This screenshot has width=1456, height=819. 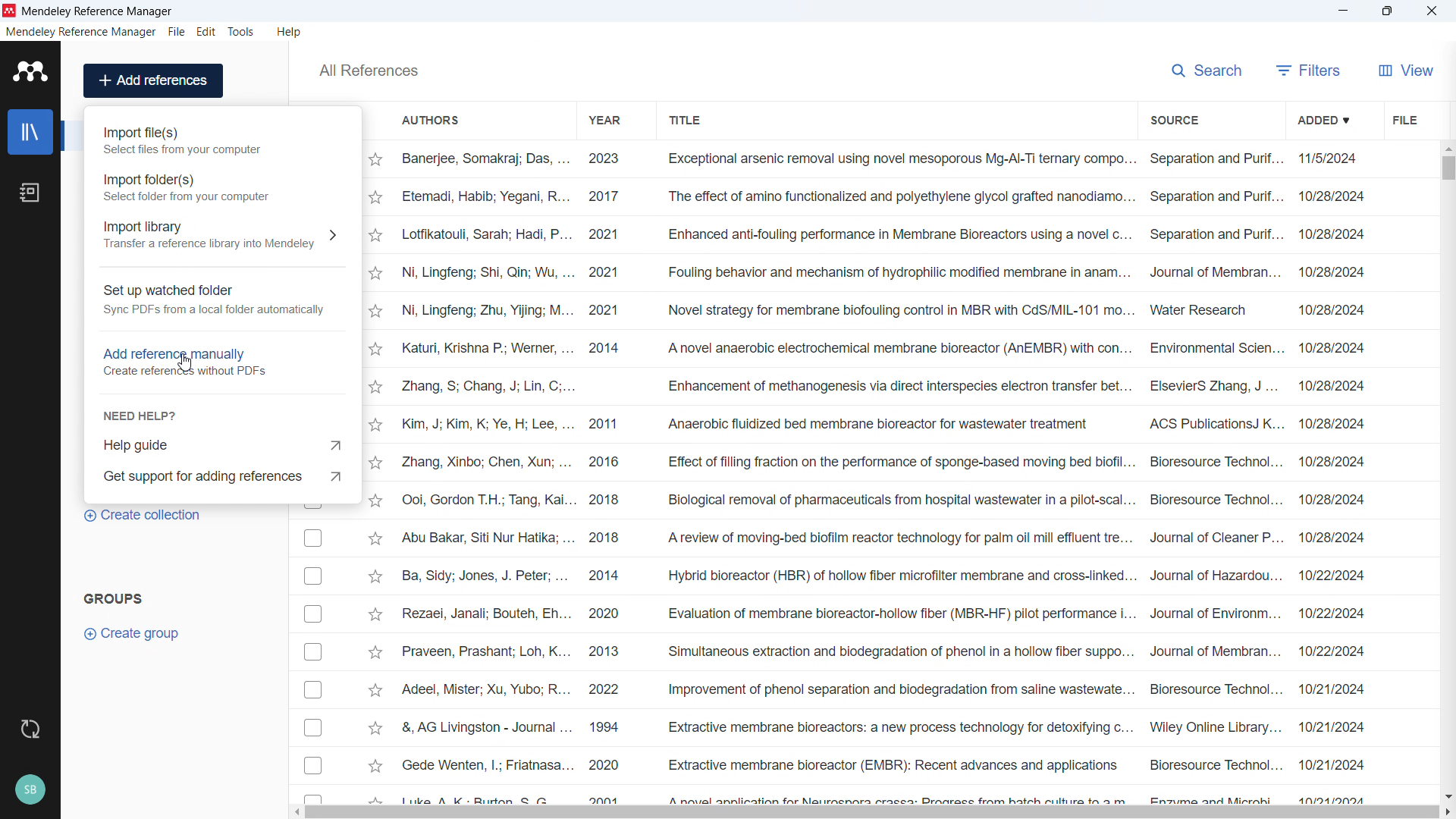 I want to click on Title of individual entries , so click(x=896, y=475).